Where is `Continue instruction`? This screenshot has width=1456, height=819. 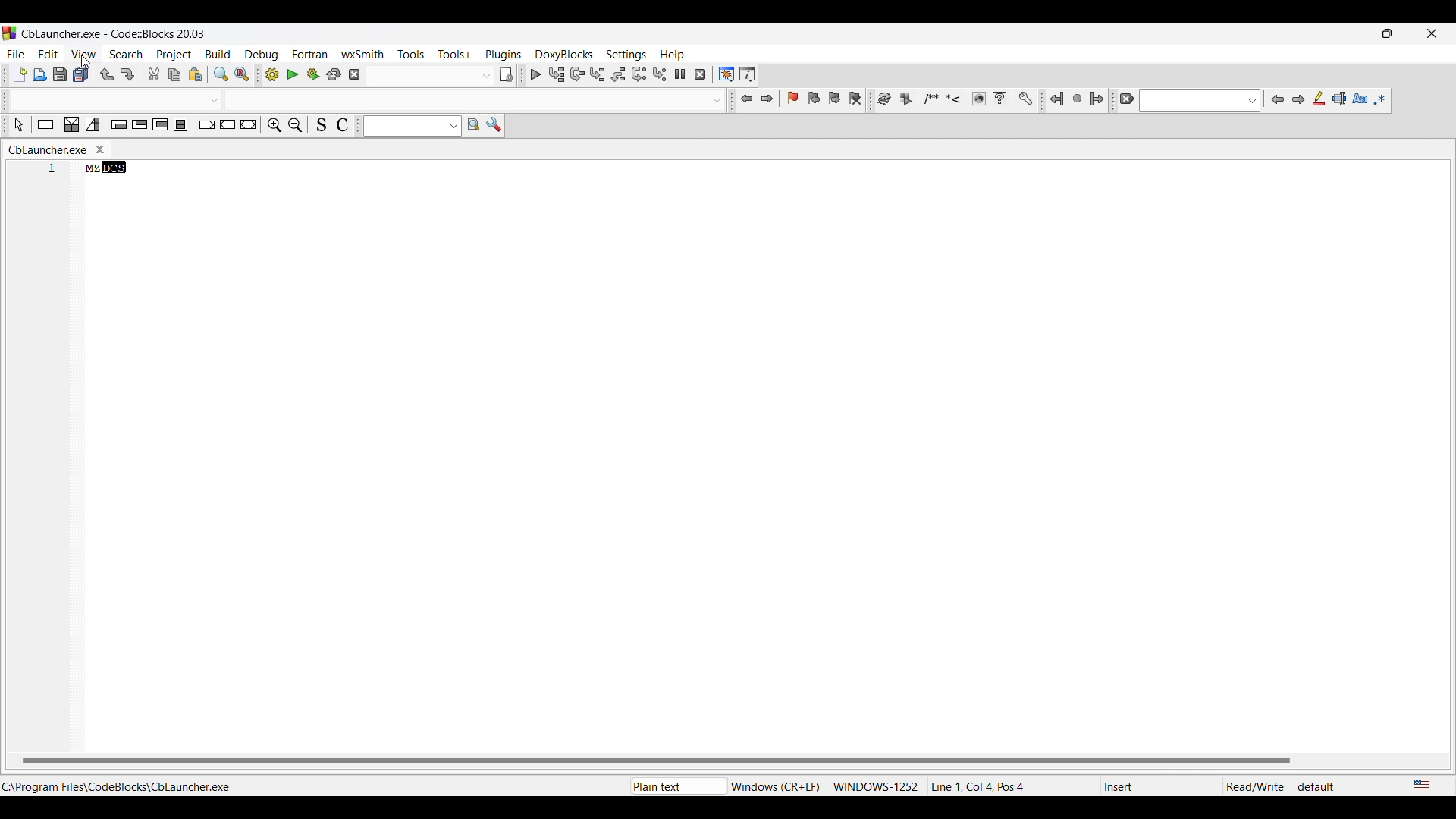
Continue instruction is located at coordinates (228, 124).